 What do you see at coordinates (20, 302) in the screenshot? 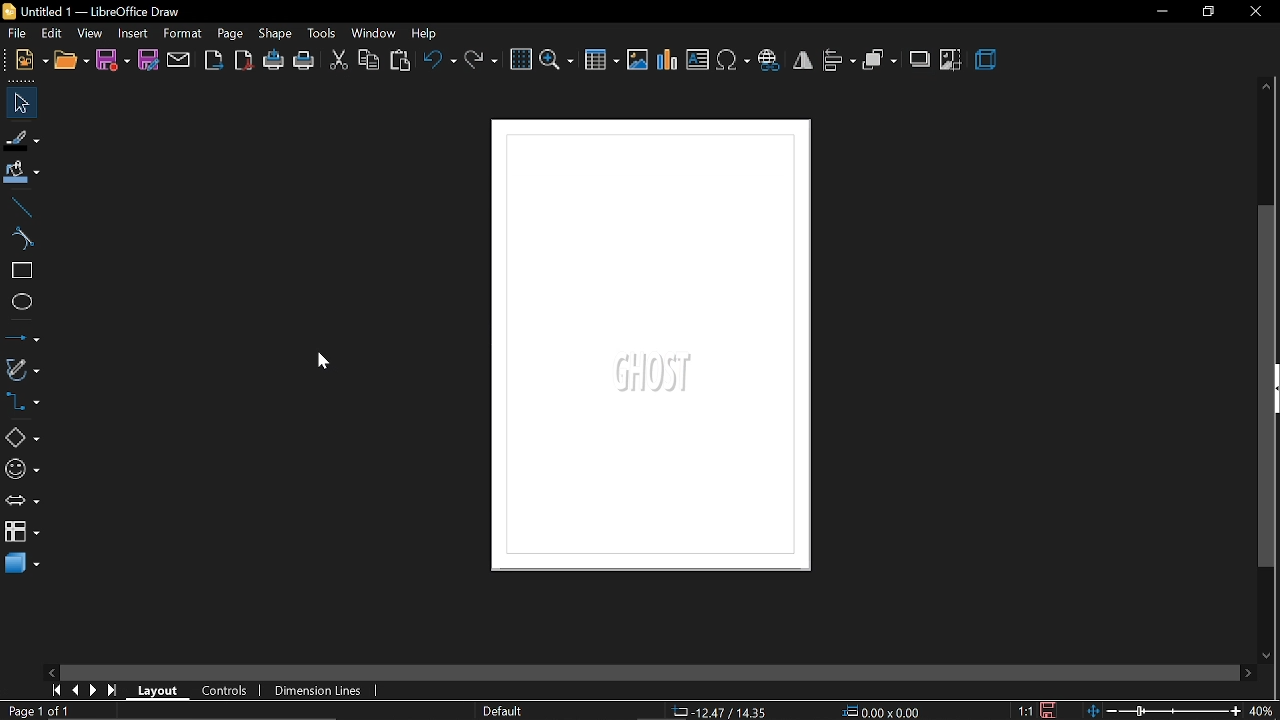
I see `ellipse` at bounding box center [20, 302].